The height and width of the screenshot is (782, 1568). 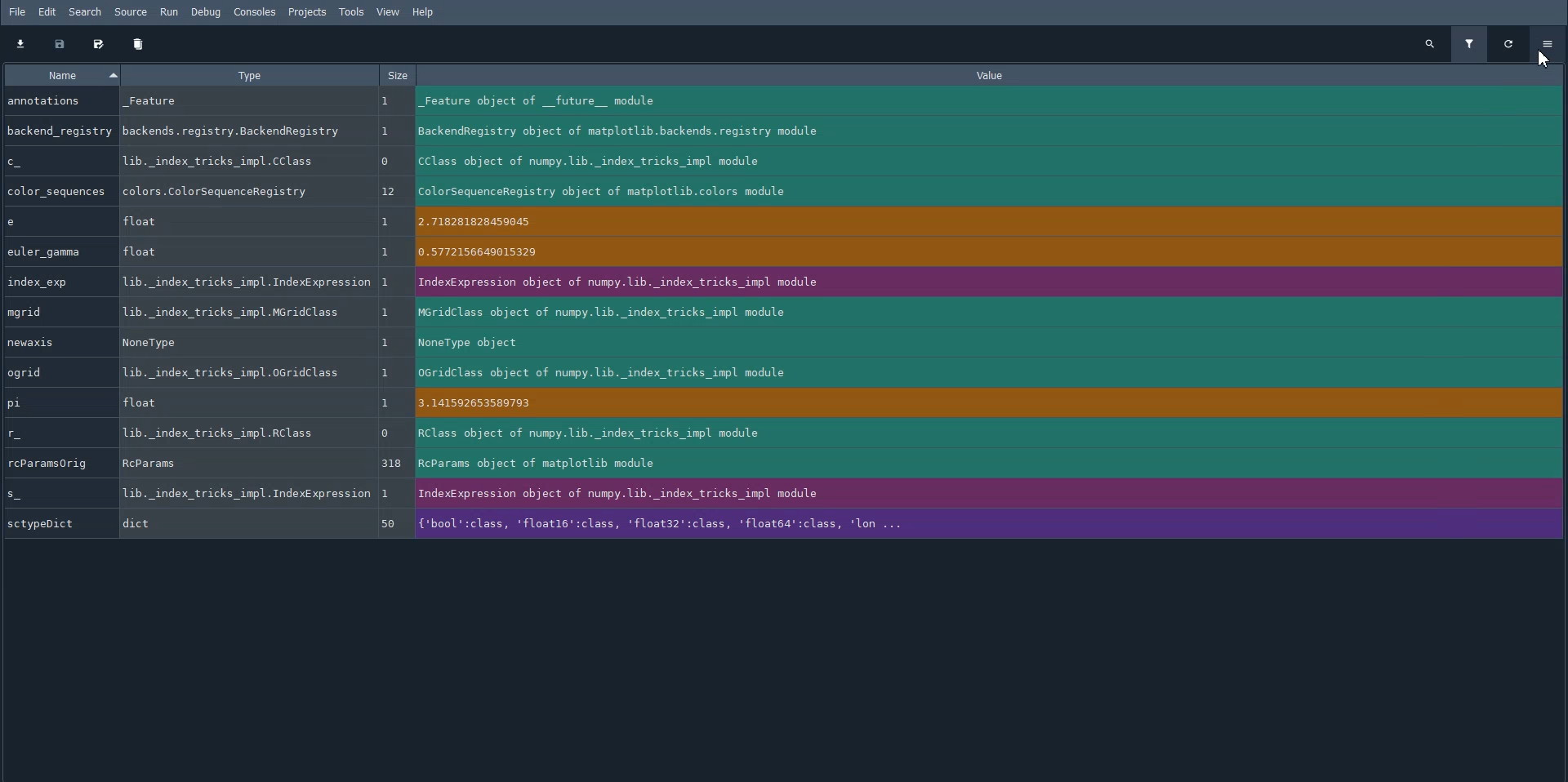 I want to click on Name, so click(x=60, y=75).